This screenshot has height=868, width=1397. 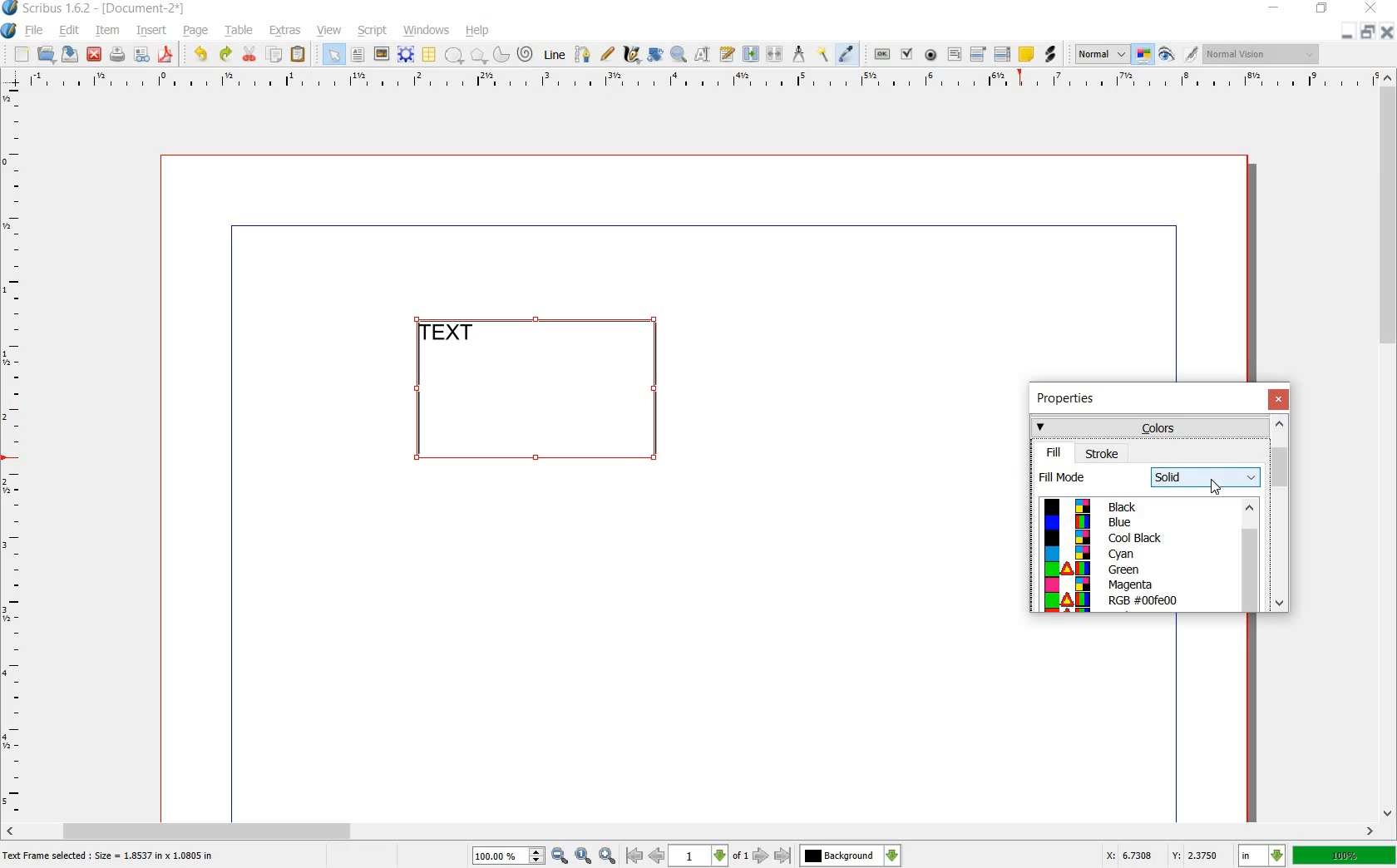 What do you see at coordinates (476, 55) in the screenshot?
I see `polygon` at bounding box center [476, 55].